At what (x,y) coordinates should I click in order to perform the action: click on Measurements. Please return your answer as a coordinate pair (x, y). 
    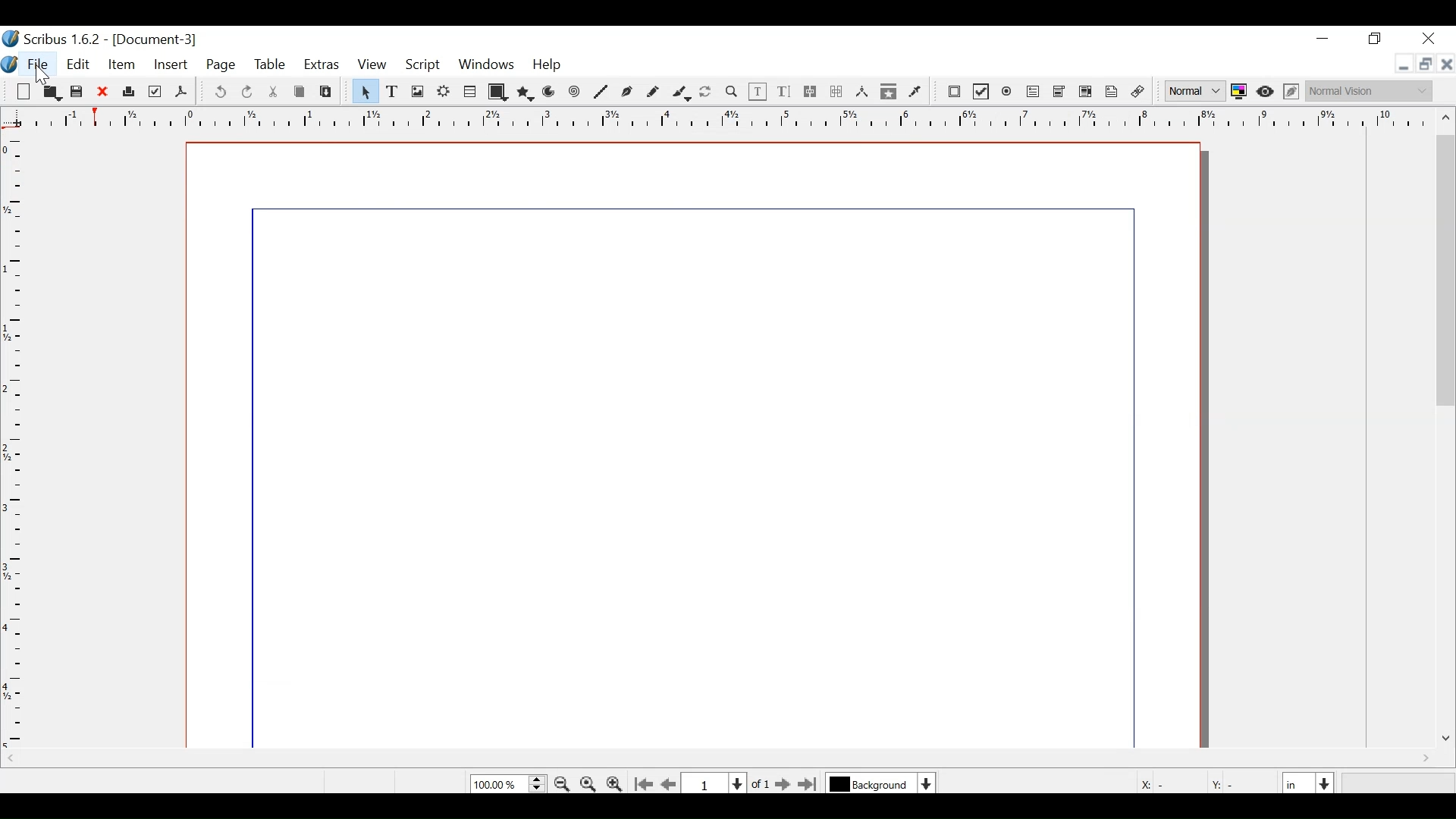
    Looking at the image, I should click on (861, 92).